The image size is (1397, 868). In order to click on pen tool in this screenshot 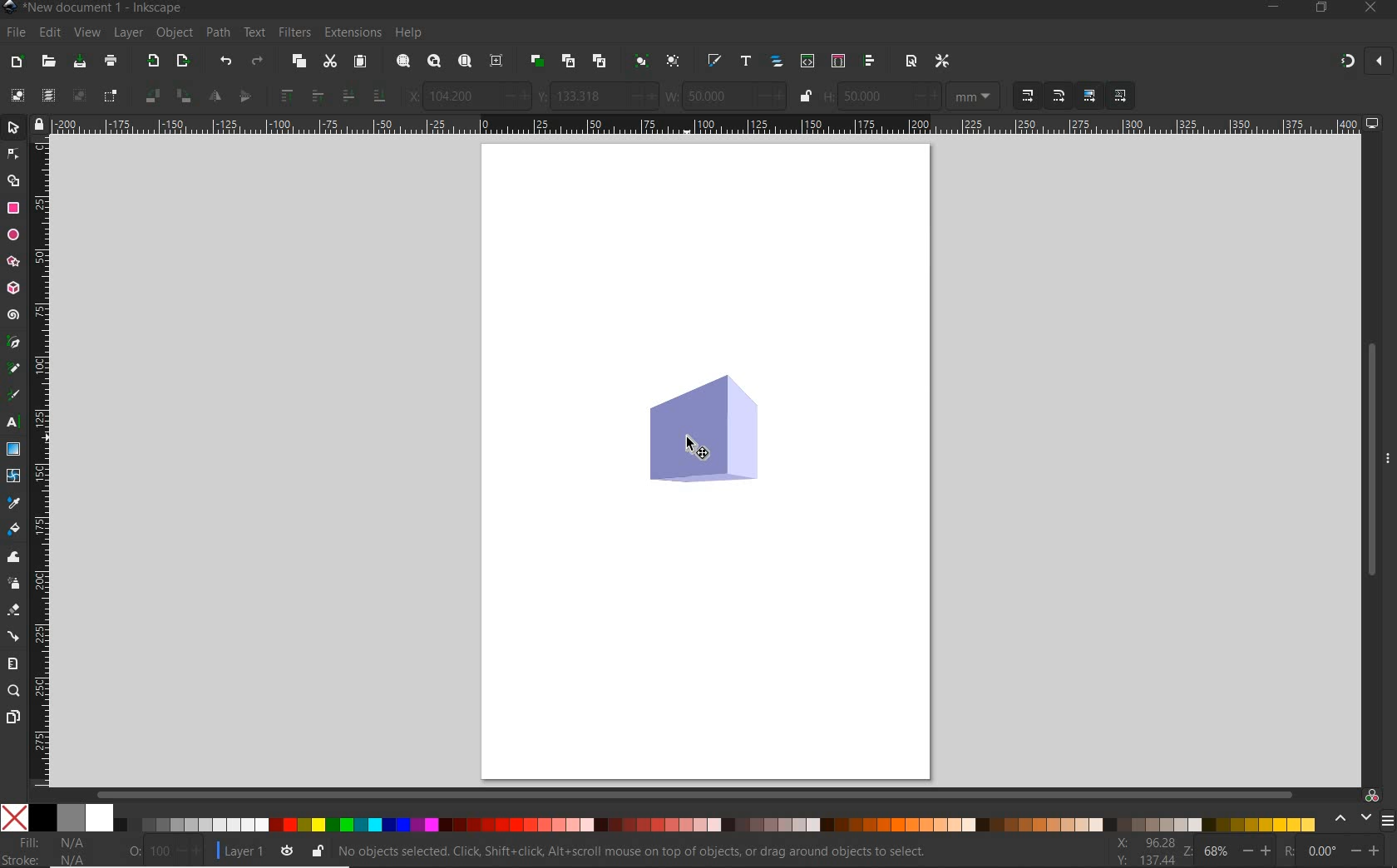, I will do `click(12, 343)`.